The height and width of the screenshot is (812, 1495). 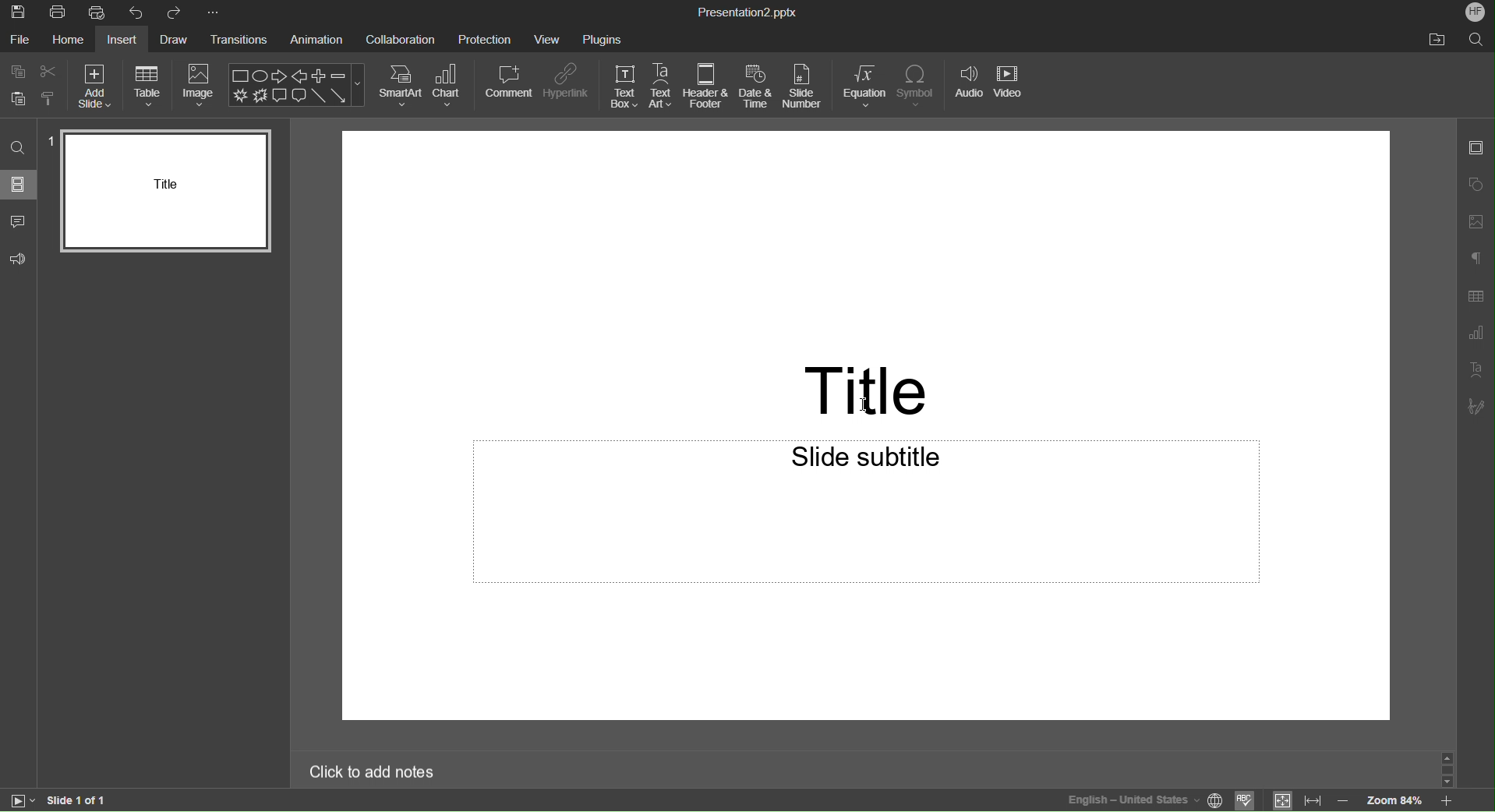 I want to click on Search, so click(x=1476, y=41).